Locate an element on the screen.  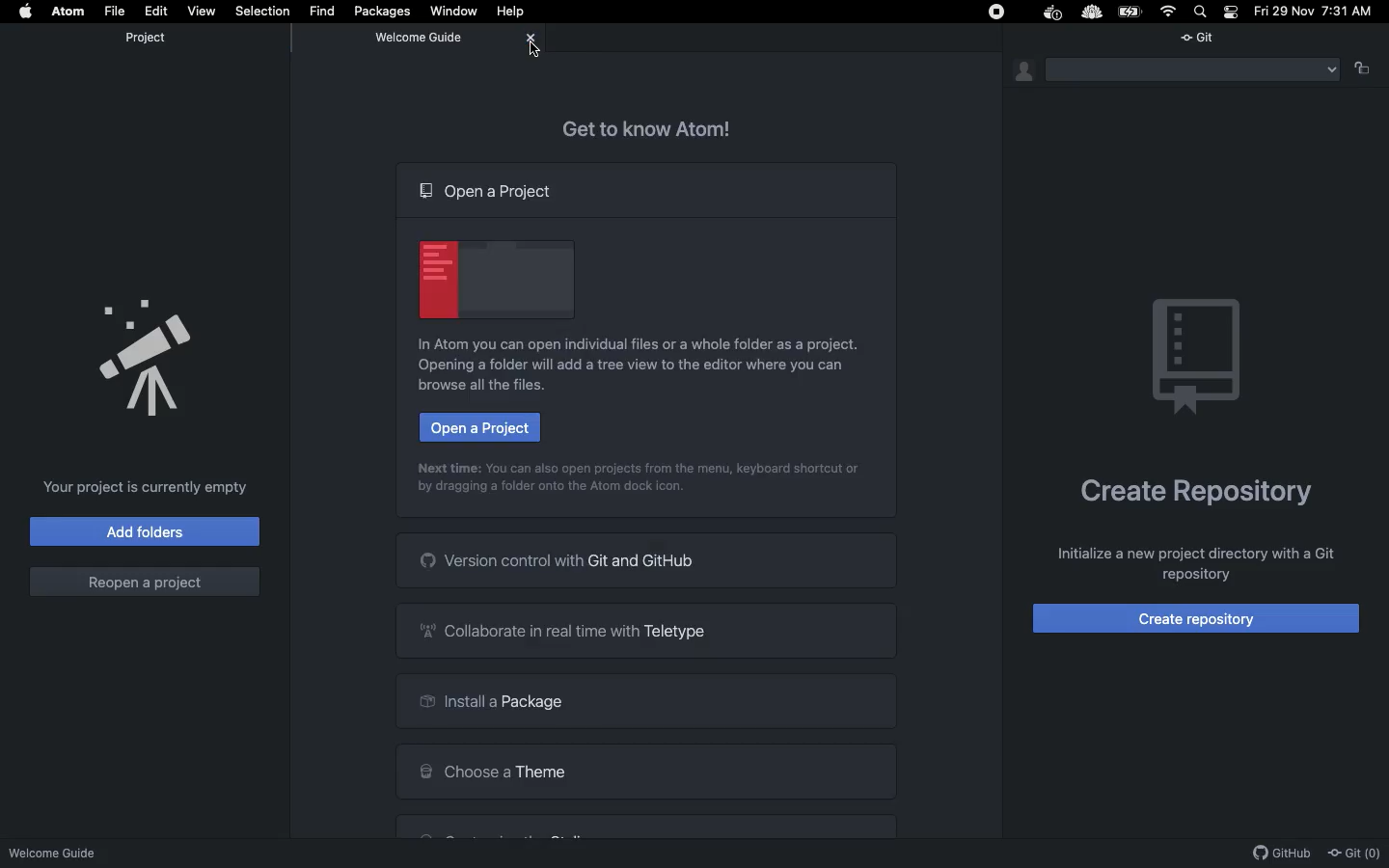
Charge is located at coordinates (1133, 12).